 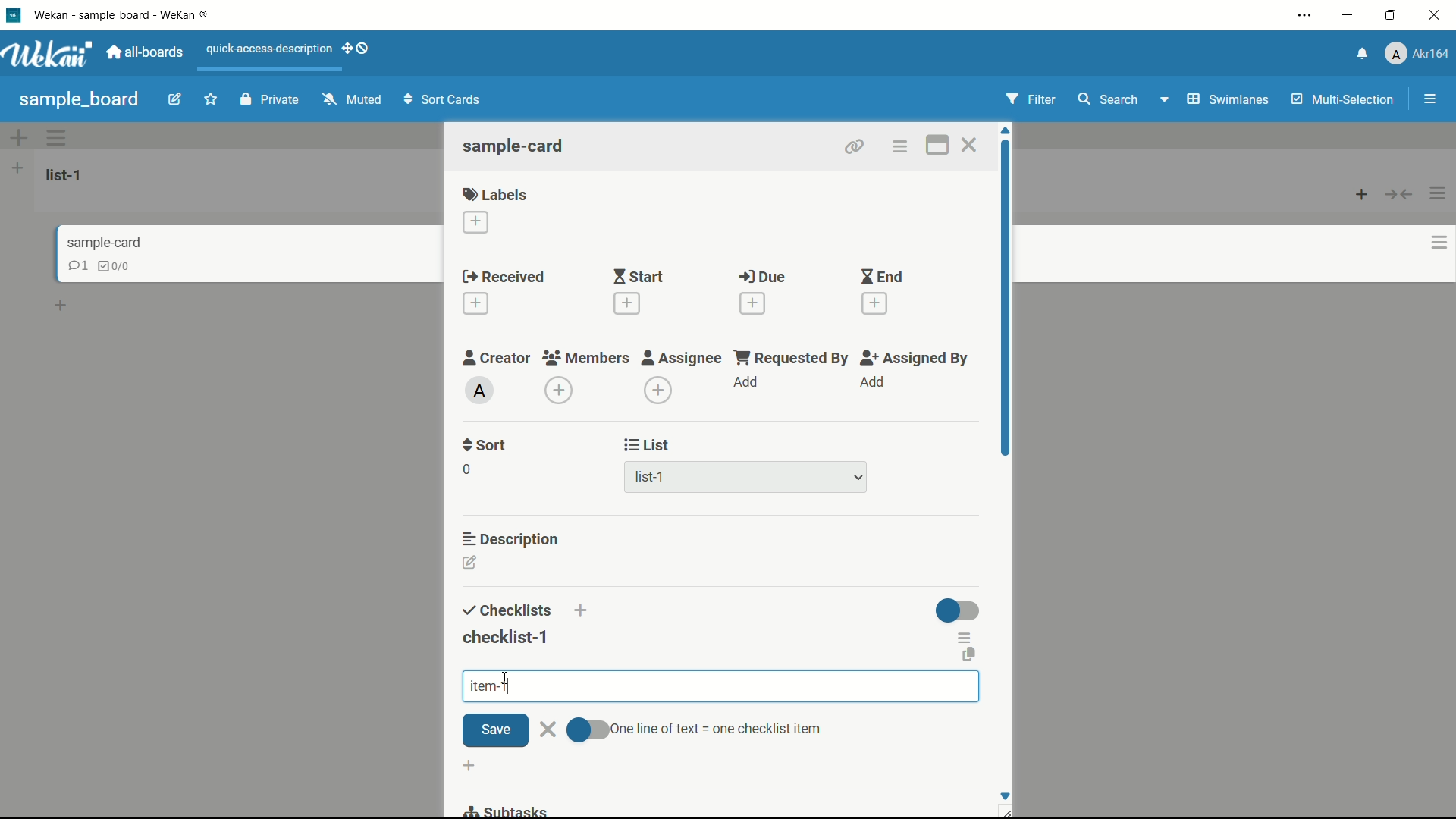 I want to click on add assignee, so click(x=659, y=391).